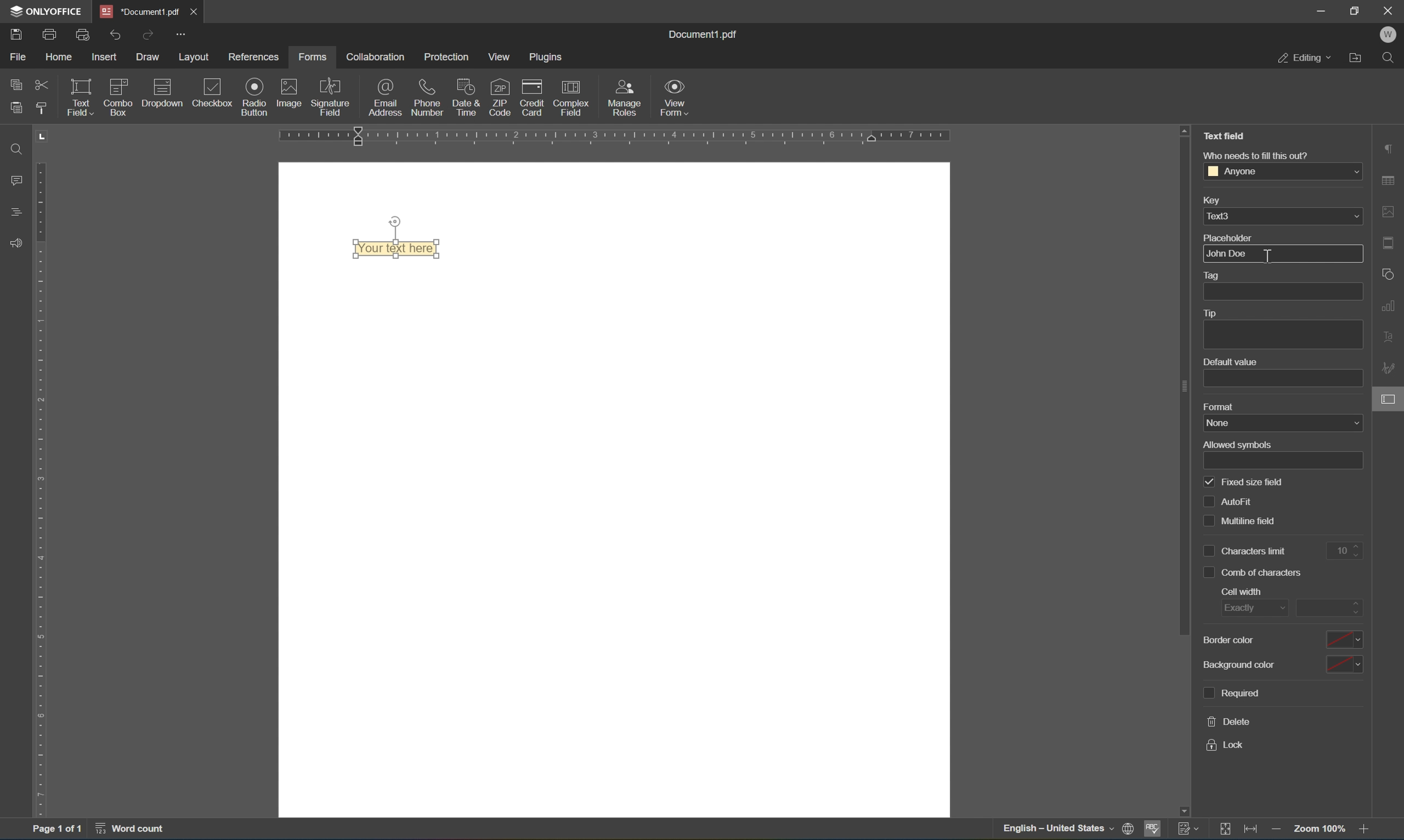  I want to click on complex field, so click(577, 98).